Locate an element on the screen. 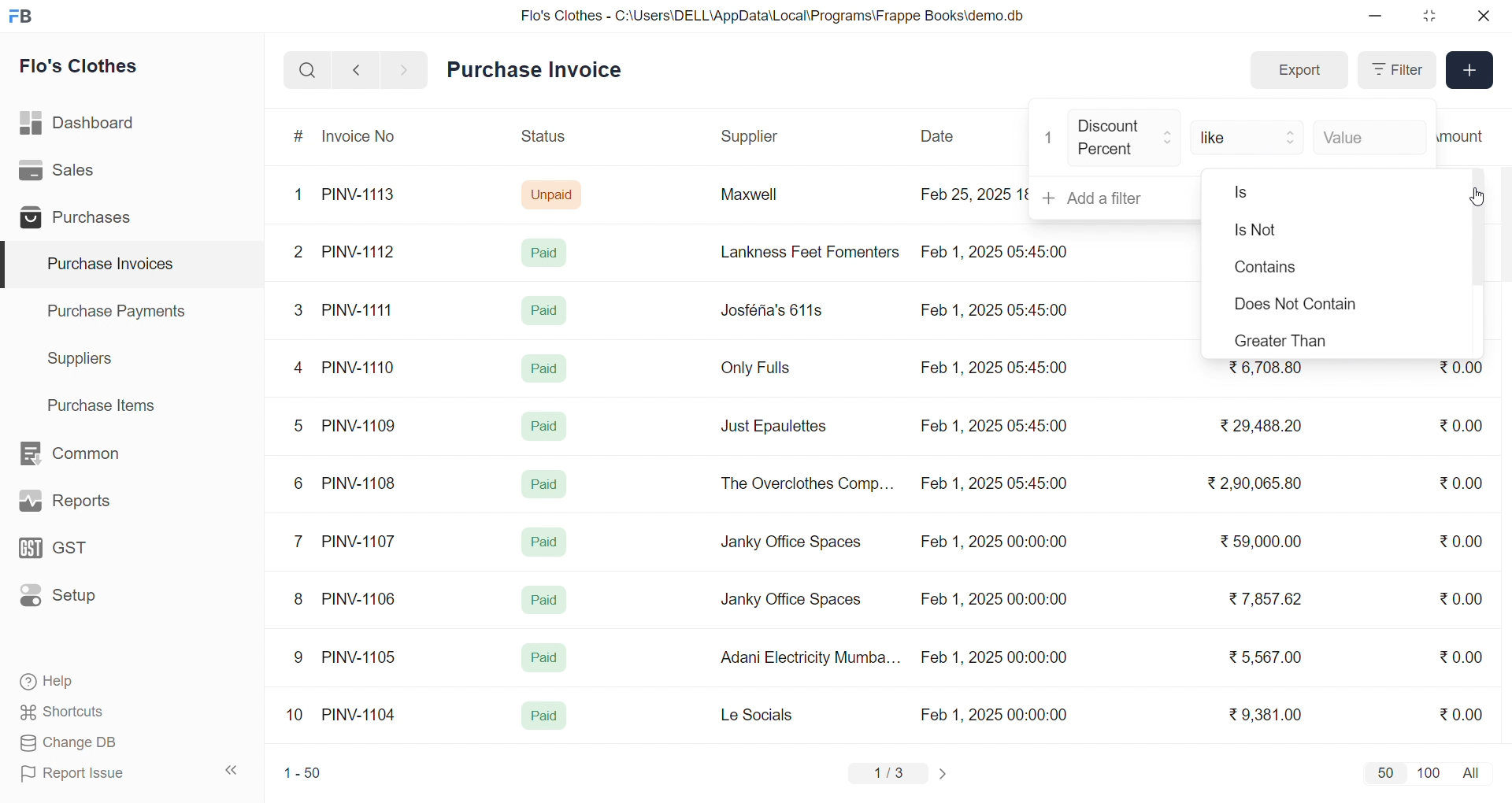 The height and width of the screenshot is (803, 1512). Common is located at coordinates (87, 454).